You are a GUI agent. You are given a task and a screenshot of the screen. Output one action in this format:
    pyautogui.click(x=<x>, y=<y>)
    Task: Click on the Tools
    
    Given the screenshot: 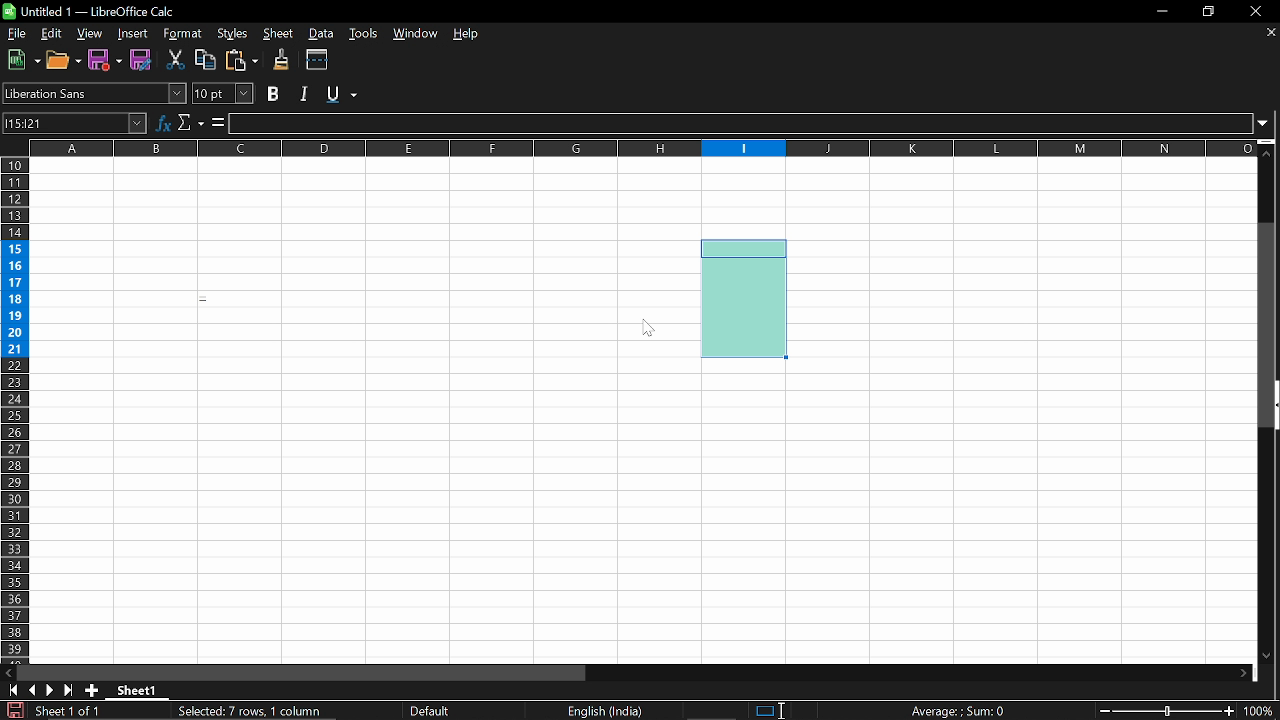 What is the action you would take?
    pyautogui.click(x=366, y=35)
    